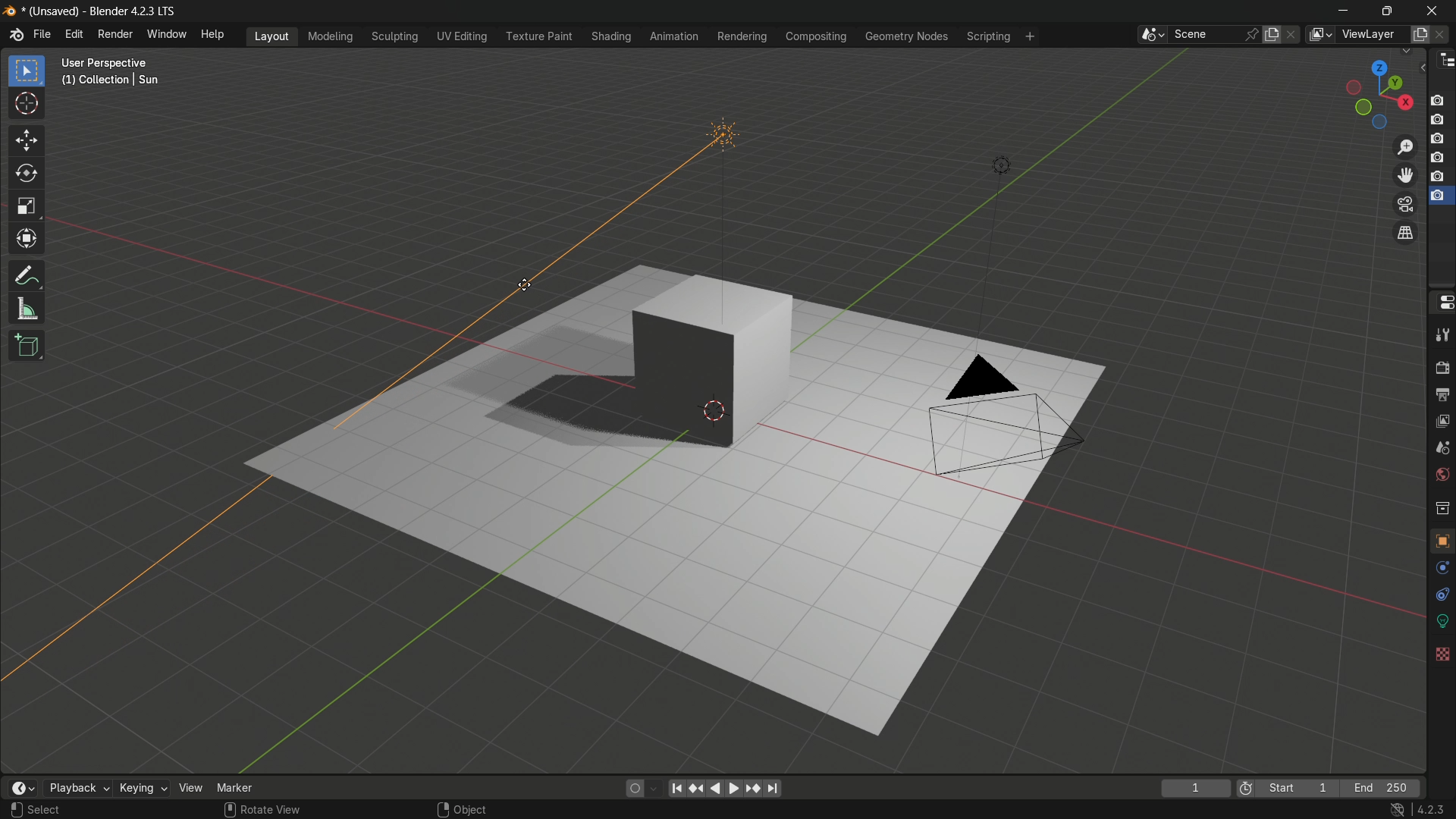  Describe the element at coordinates (1442, 335) in the screenshot. I see `tools` at that location.